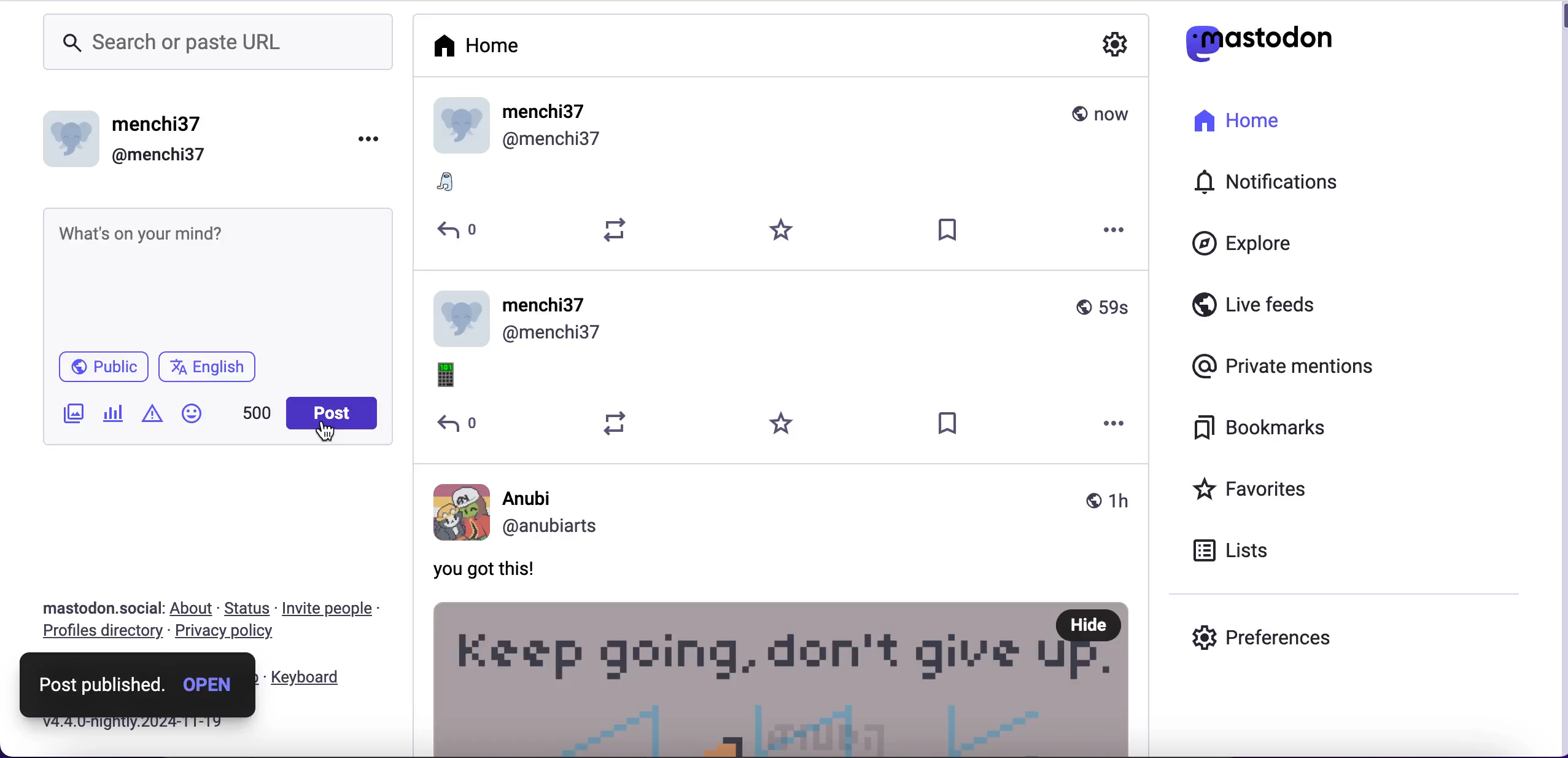 Image resolution: width=1568 pixels, height=758 pixels. I want to click on retweet, so click(616, 230).